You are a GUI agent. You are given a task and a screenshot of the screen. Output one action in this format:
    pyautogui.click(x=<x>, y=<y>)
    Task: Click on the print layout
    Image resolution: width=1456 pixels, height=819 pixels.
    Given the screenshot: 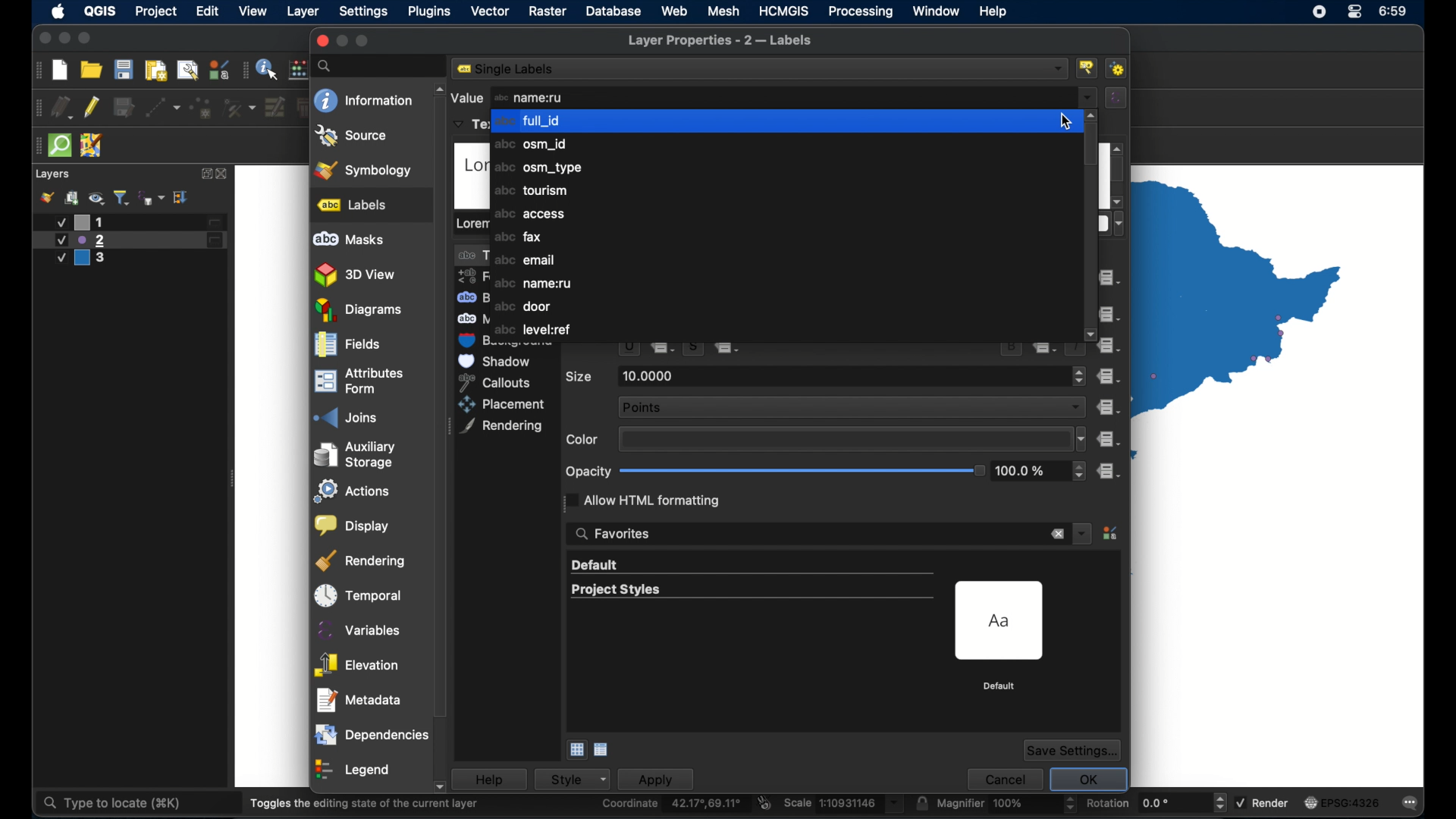 What is the action you would take?
    pyautogui.click(x=156, y=71)
    